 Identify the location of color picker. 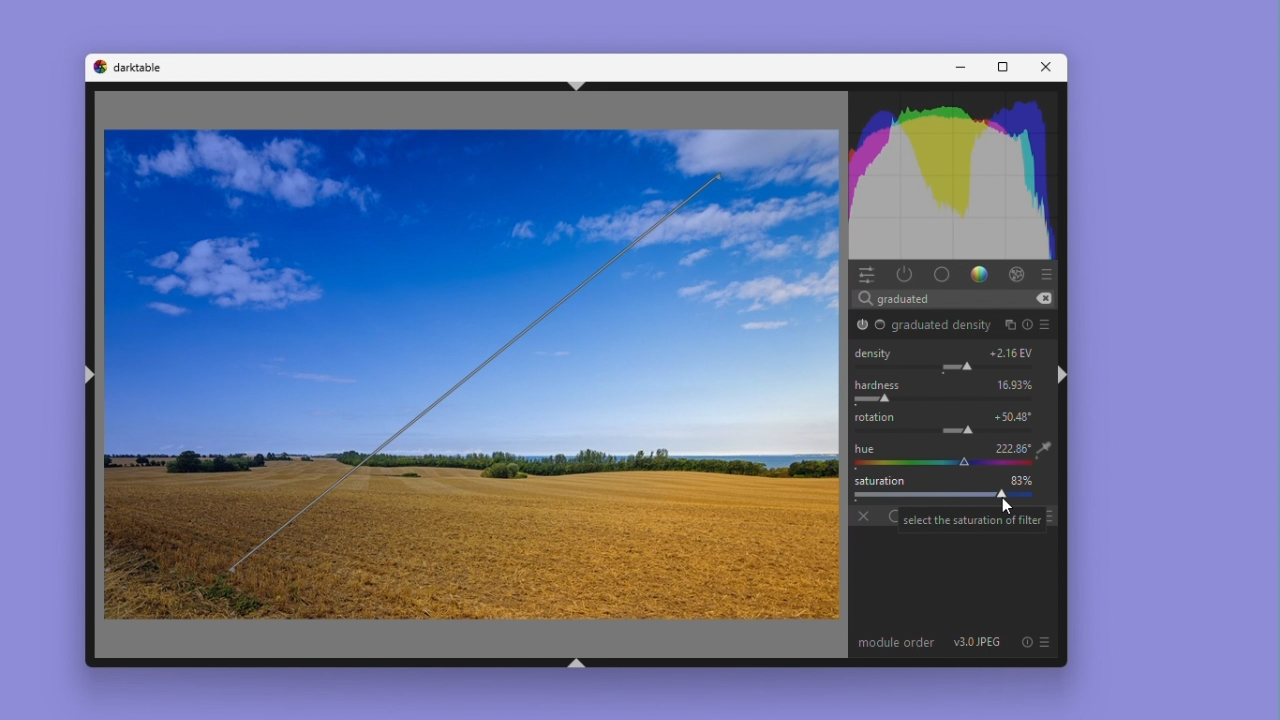
(938, 464).